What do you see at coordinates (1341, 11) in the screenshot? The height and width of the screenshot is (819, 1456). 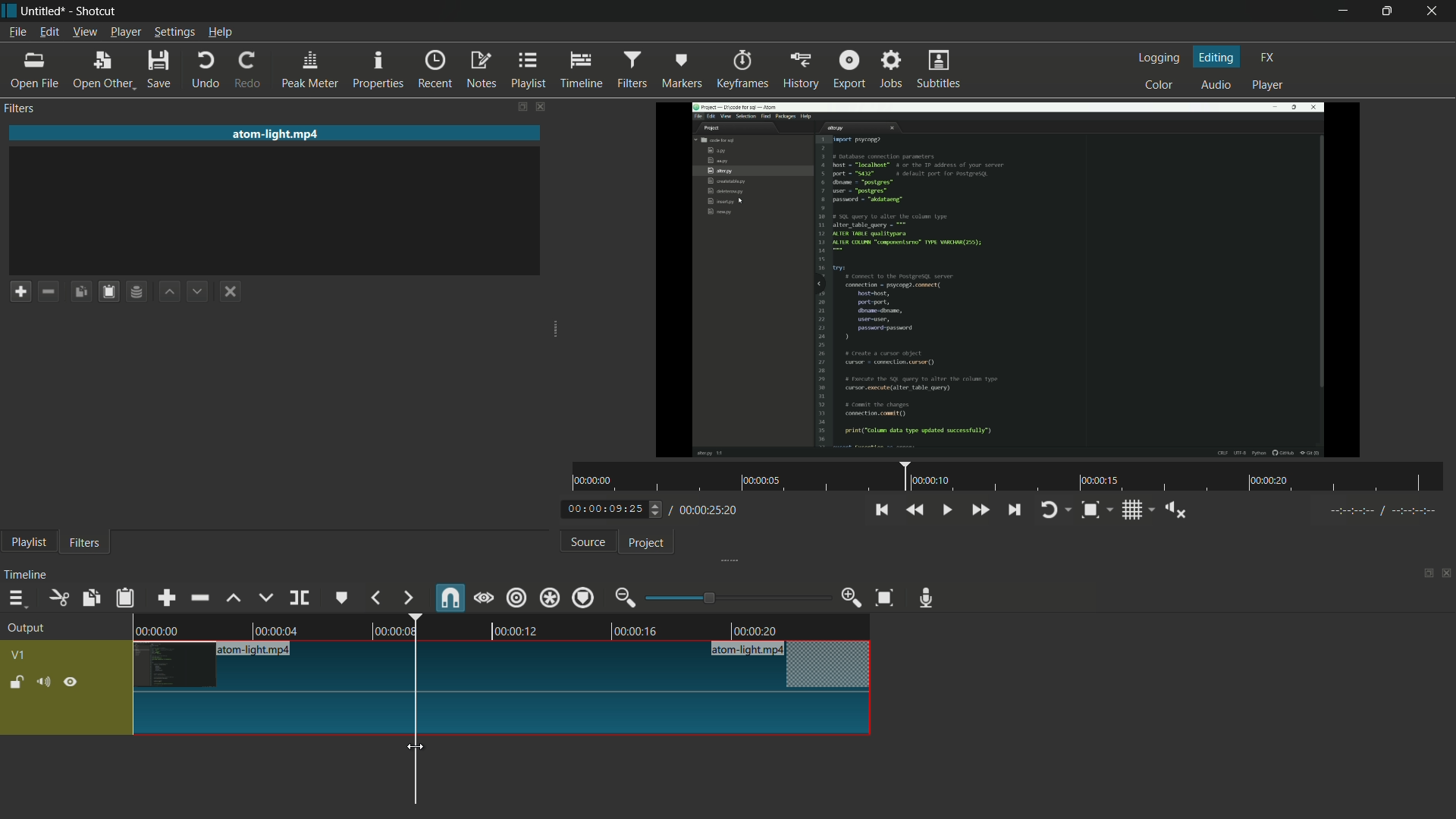 I see `minimize` at bounding box center [1341, 11].